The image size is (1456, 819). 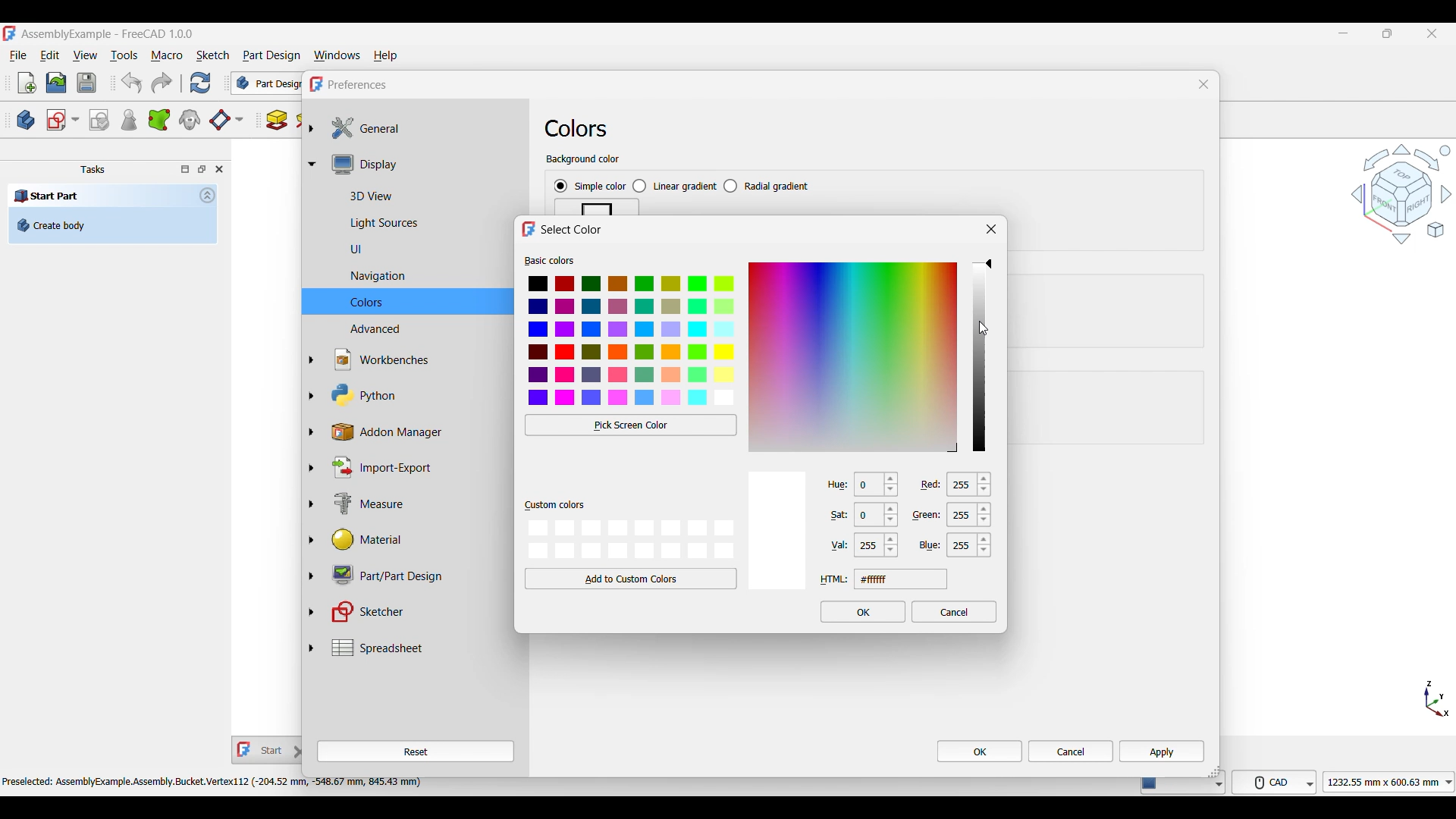 What do you see at coordinates (108, 34) in the screenshot?
I see `Project name, software name and version` at bounding box center [108, 34].